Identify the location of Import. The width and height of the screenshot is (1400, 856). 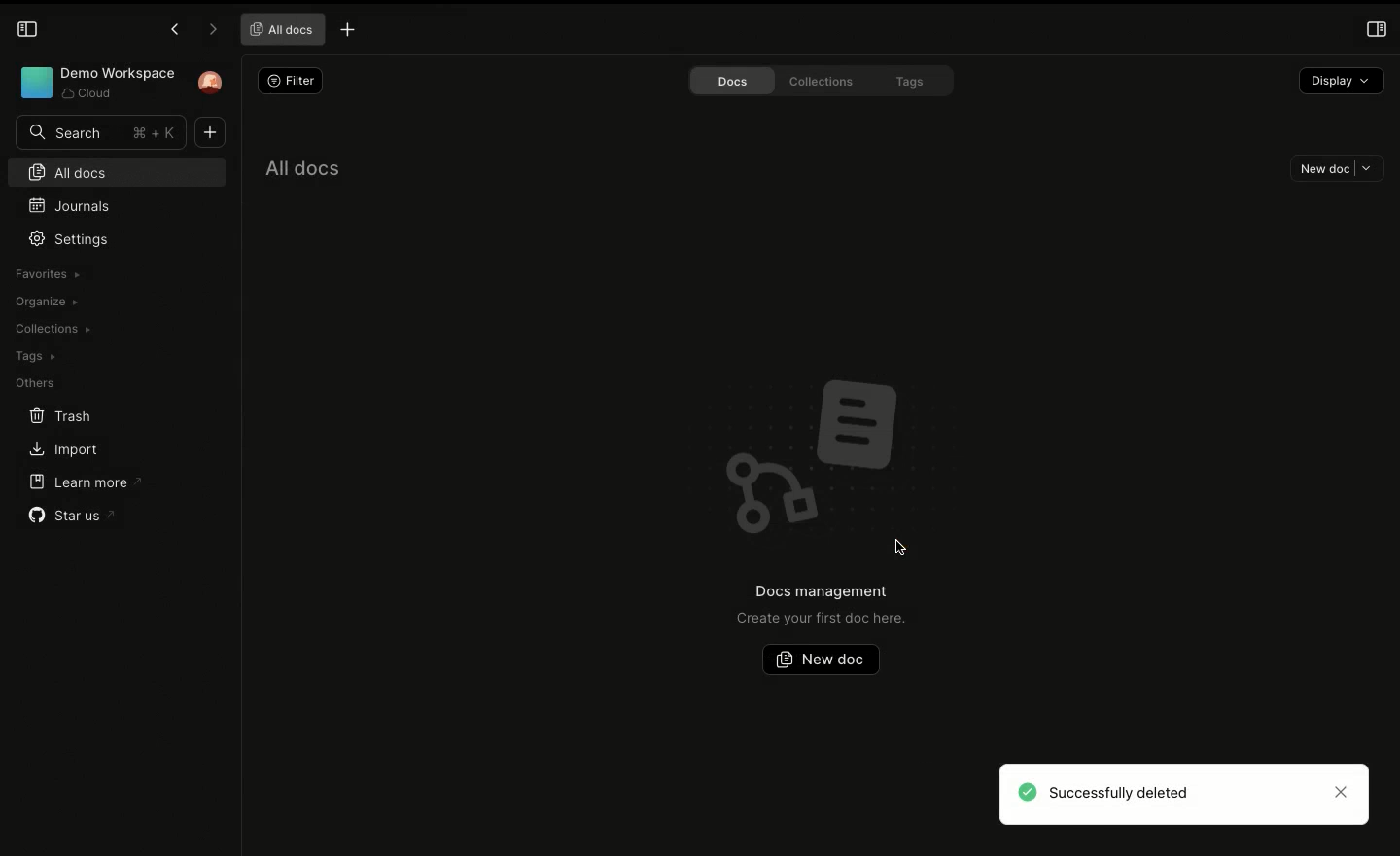
(63, 450).